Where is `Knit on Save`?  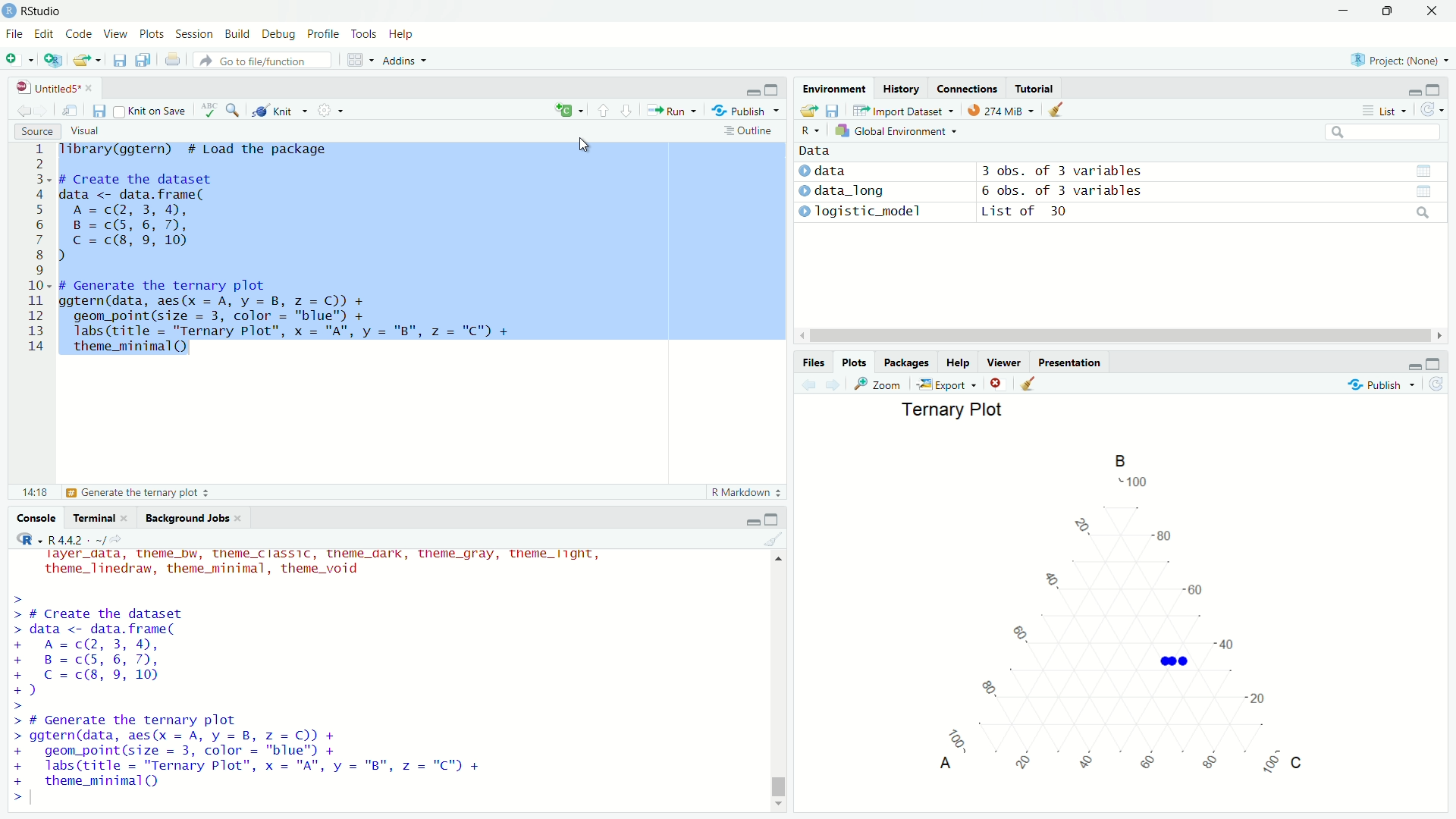
Knit on Save is located at coordinates (156, 111).